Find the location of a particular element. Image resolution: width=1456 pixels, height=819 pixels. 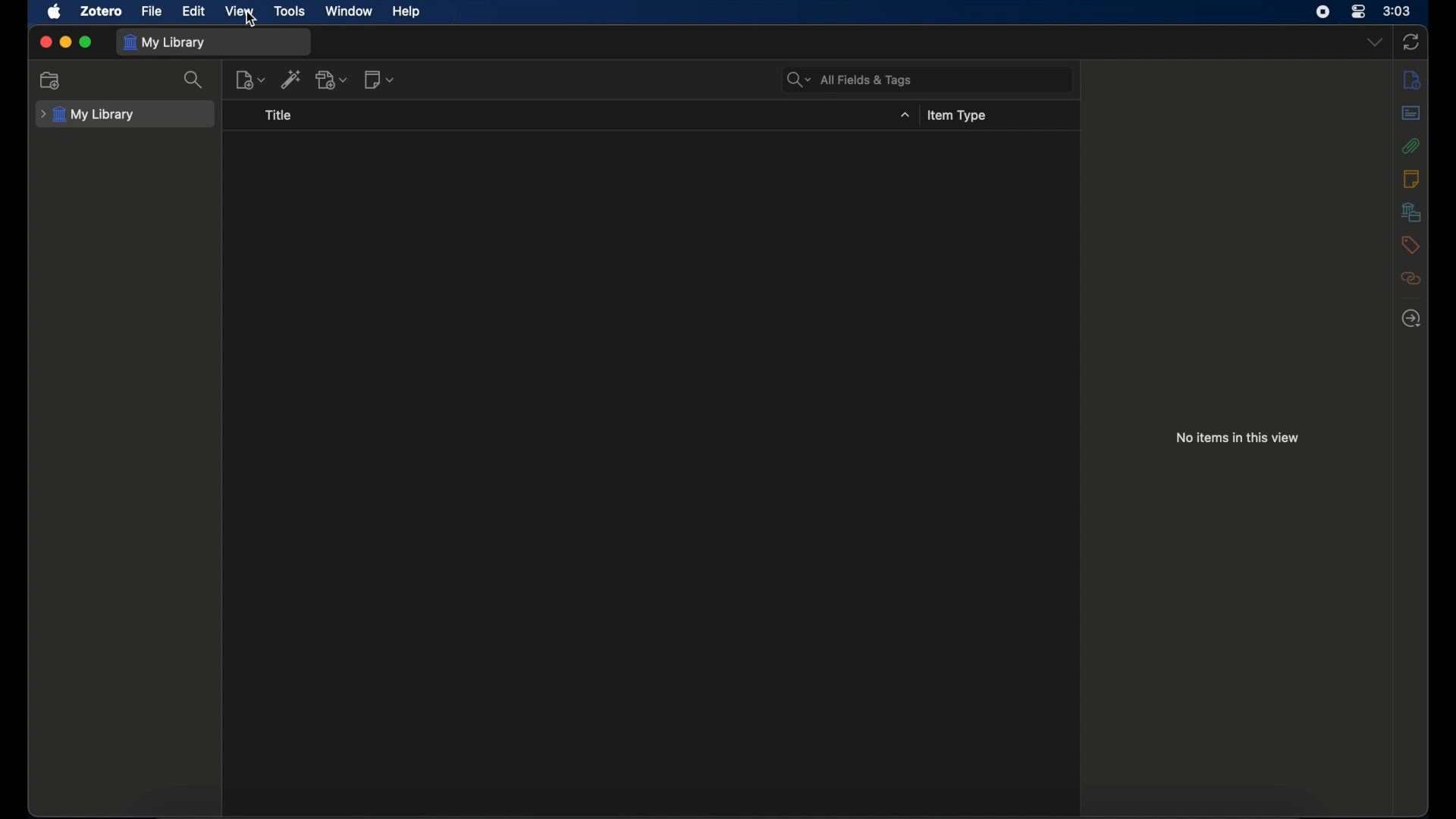

new notes is located at coordinates (381, 80).